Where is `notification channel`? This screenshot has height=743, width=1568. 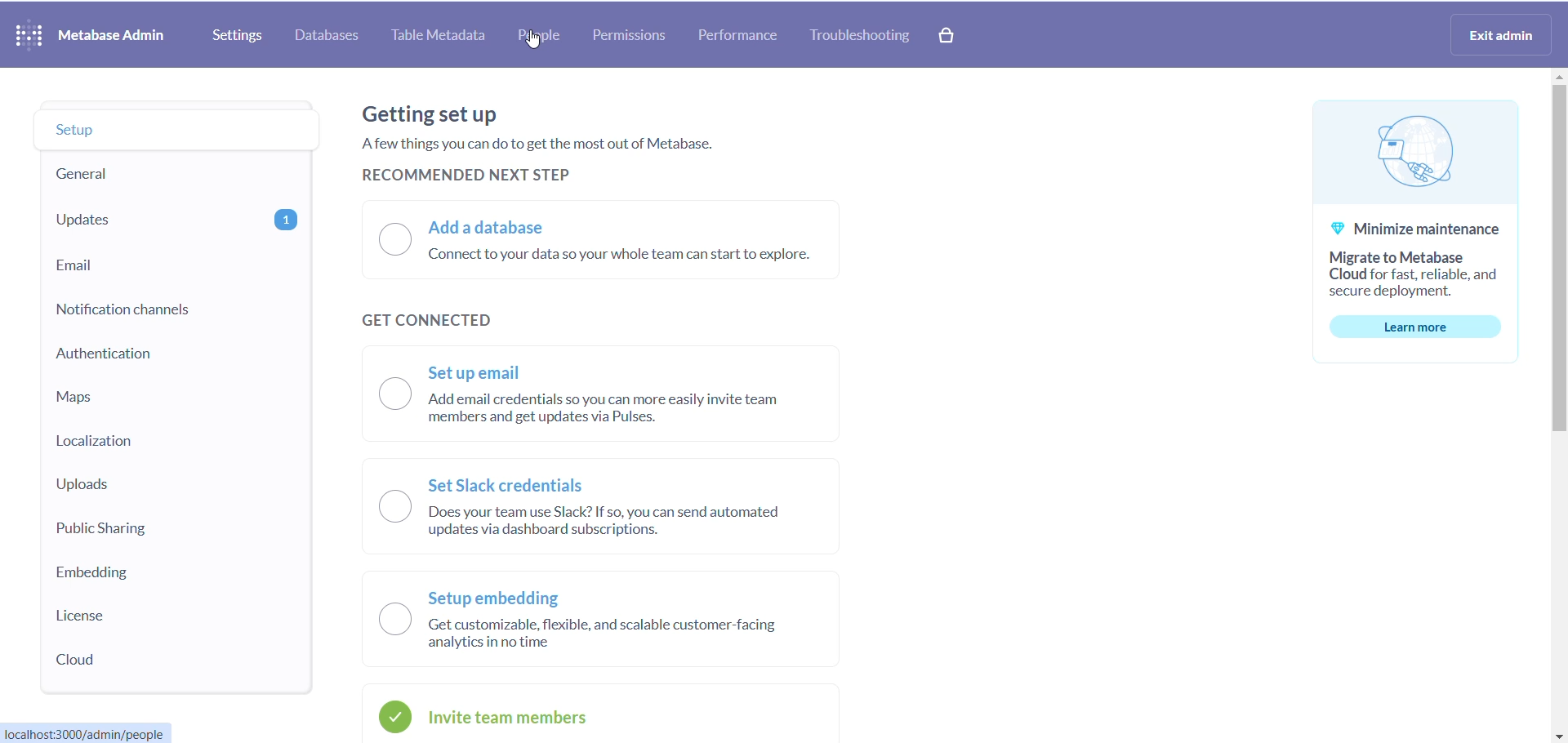
notification channel is located at coordinates (158, 314).